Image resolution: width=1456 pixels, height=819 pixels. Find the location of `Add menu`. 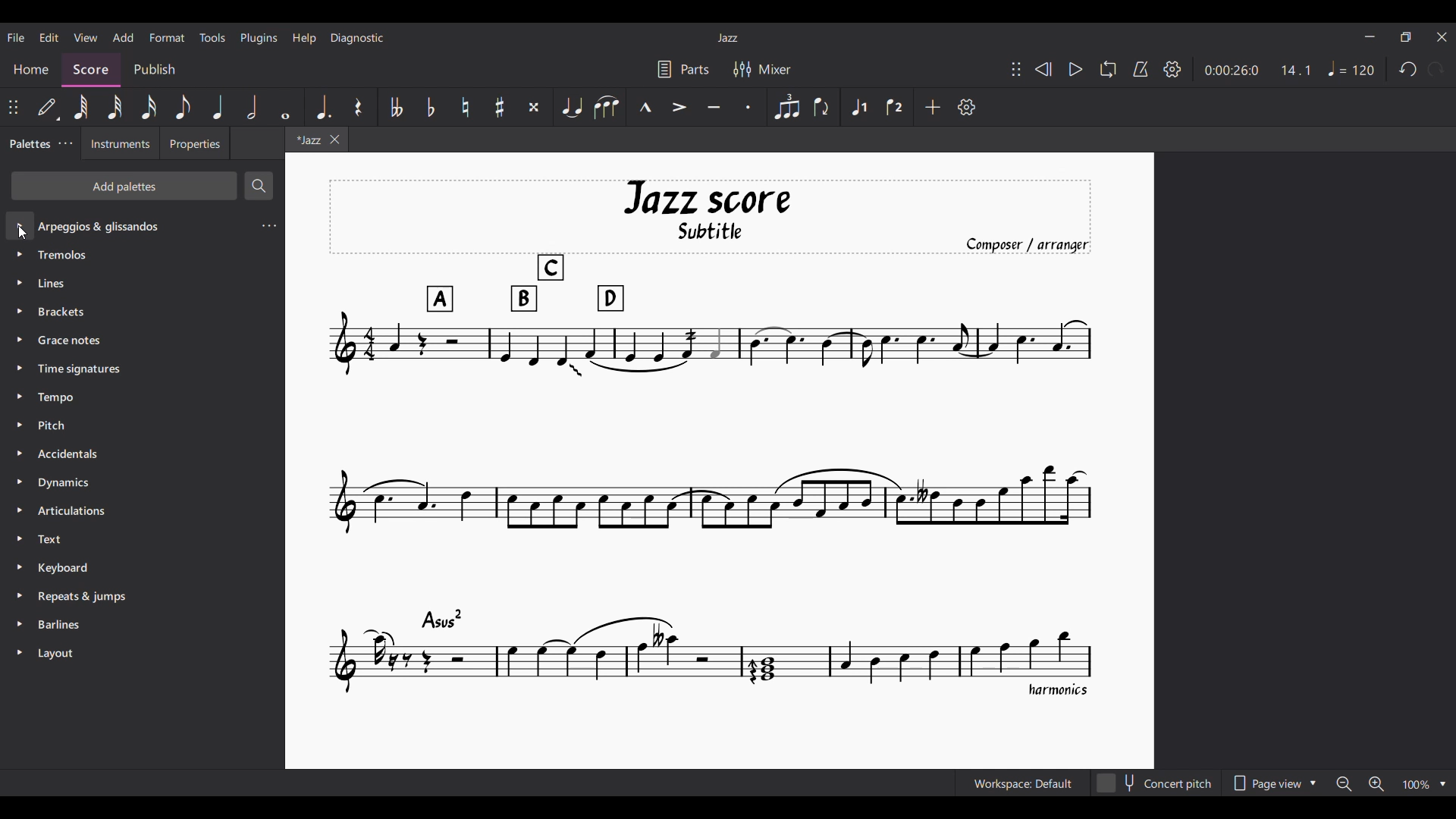

Add menu is located at coordinates (124, 37).